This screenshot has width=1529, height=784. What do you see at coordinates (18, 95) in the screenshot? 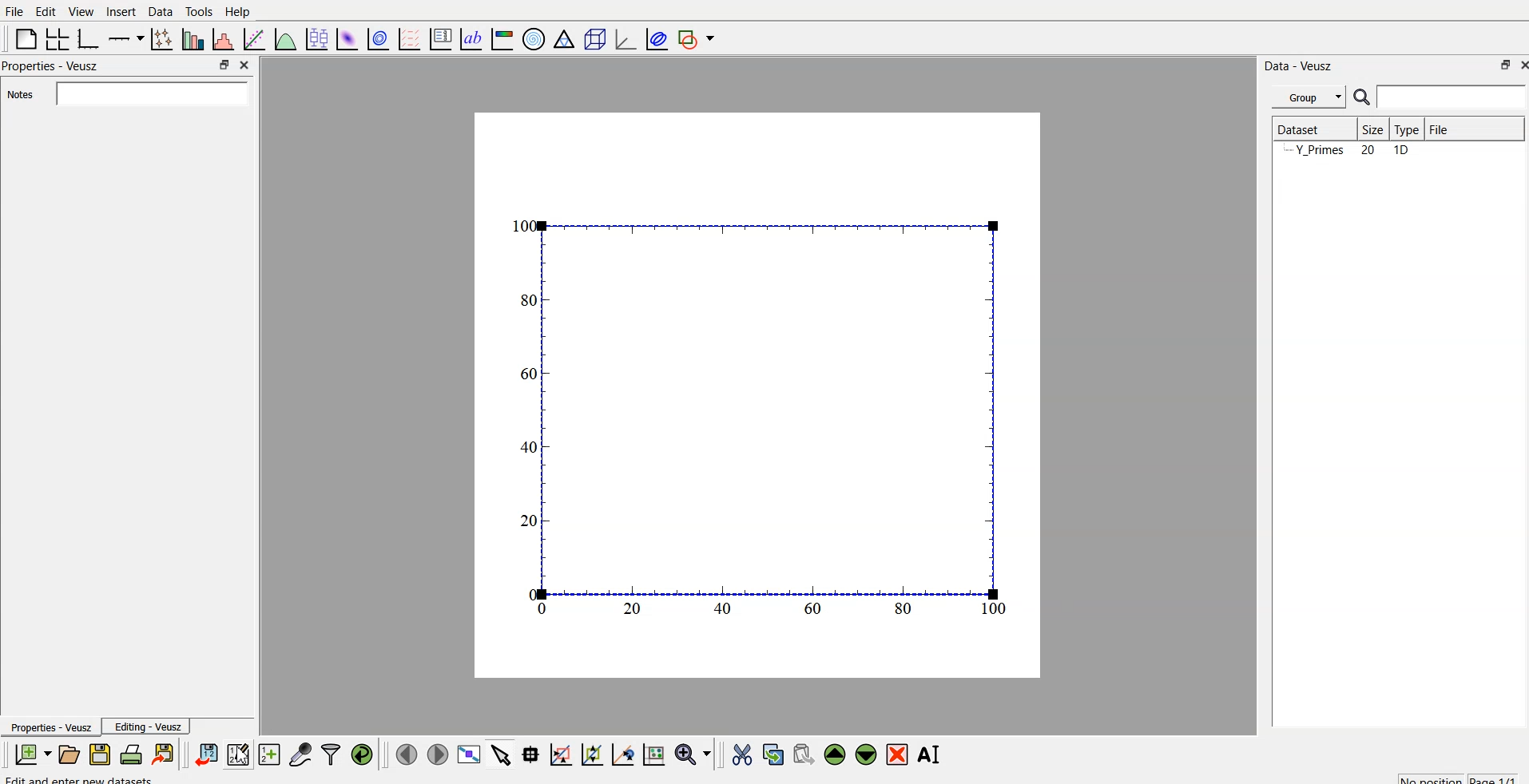
I see `Notes` at bounding box center [18, 95].